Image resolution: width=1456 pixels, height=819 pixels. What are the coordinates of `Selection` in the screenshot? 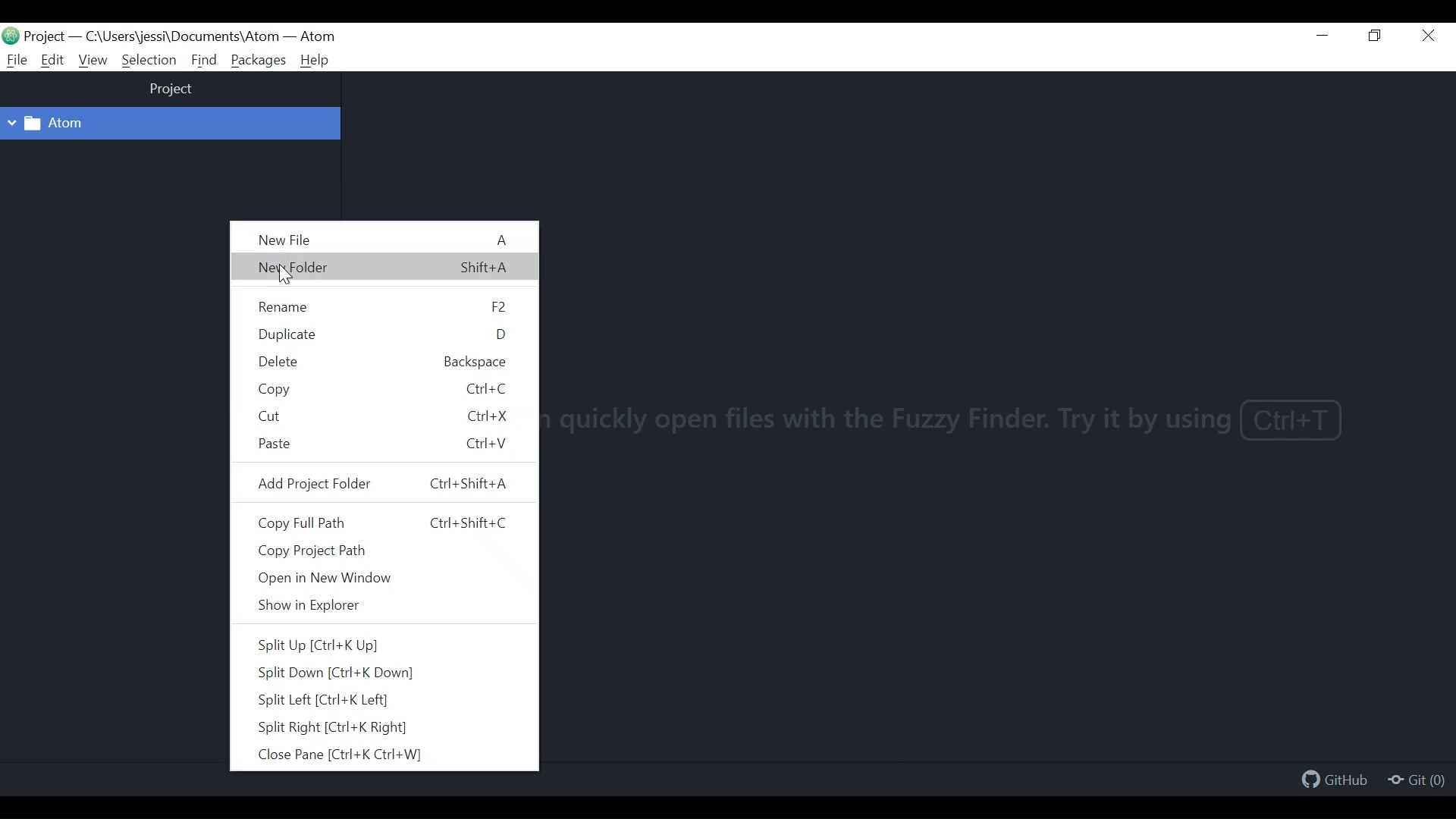 It's located at (149, 60).